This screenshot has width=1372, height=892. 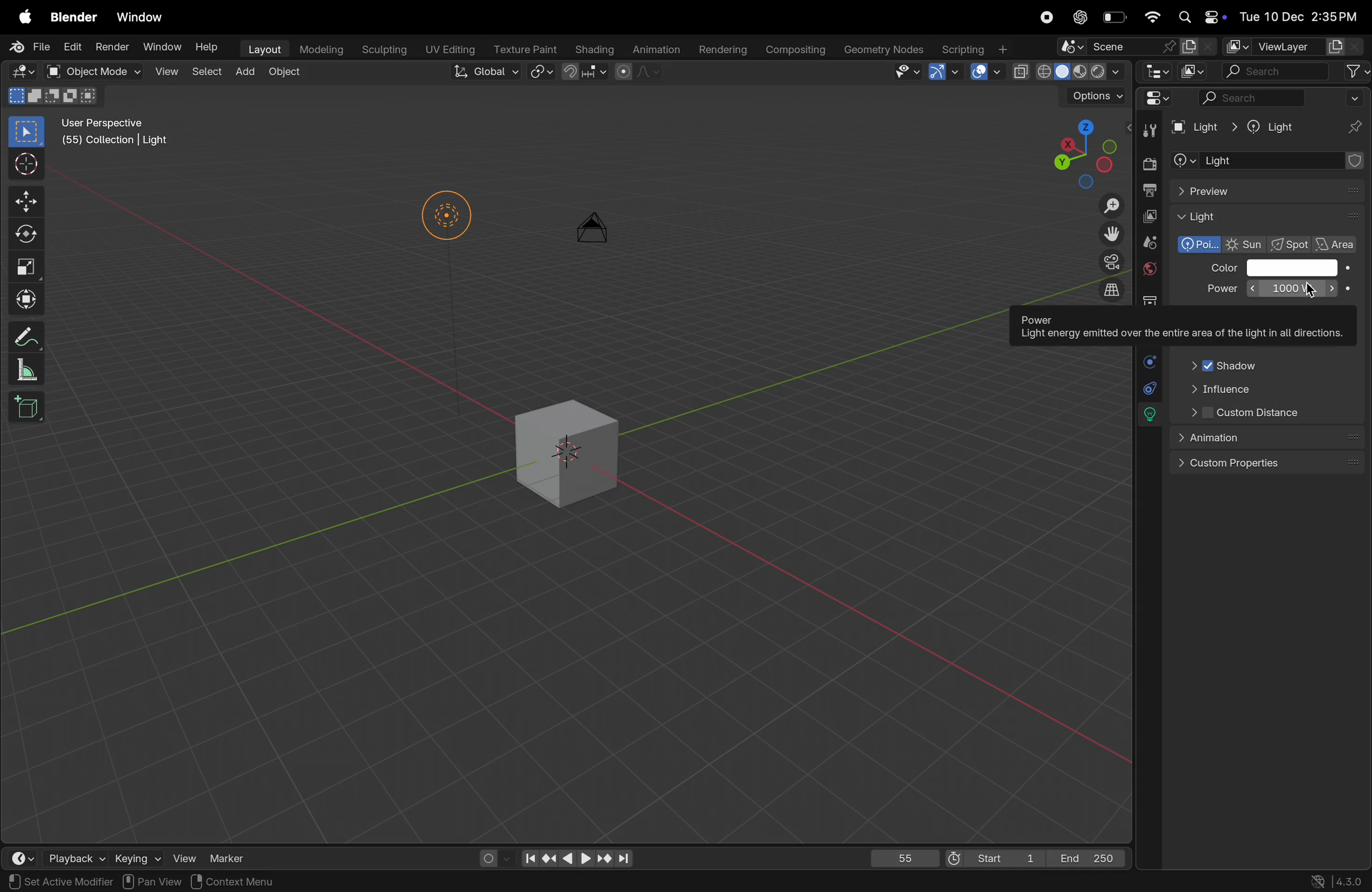 What do you see at coordinates (26, 237) in the screenshot?
I see `rotate` at bounding box center [26, 237].